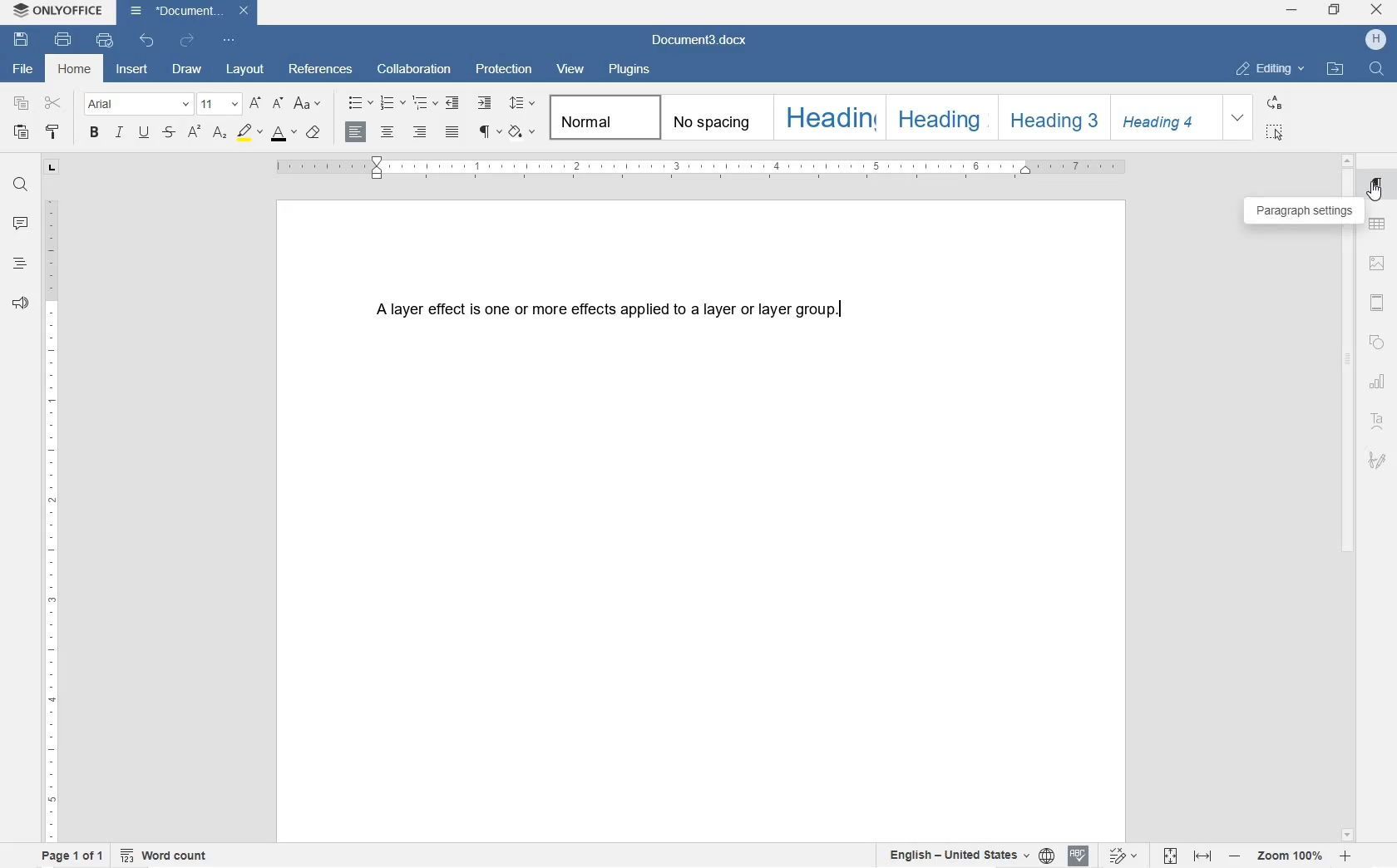 The image size is (1397, 868). Describe the element at coordinates (219, 133) in the screenshot. I see `SUBSCRIPT` at that location.